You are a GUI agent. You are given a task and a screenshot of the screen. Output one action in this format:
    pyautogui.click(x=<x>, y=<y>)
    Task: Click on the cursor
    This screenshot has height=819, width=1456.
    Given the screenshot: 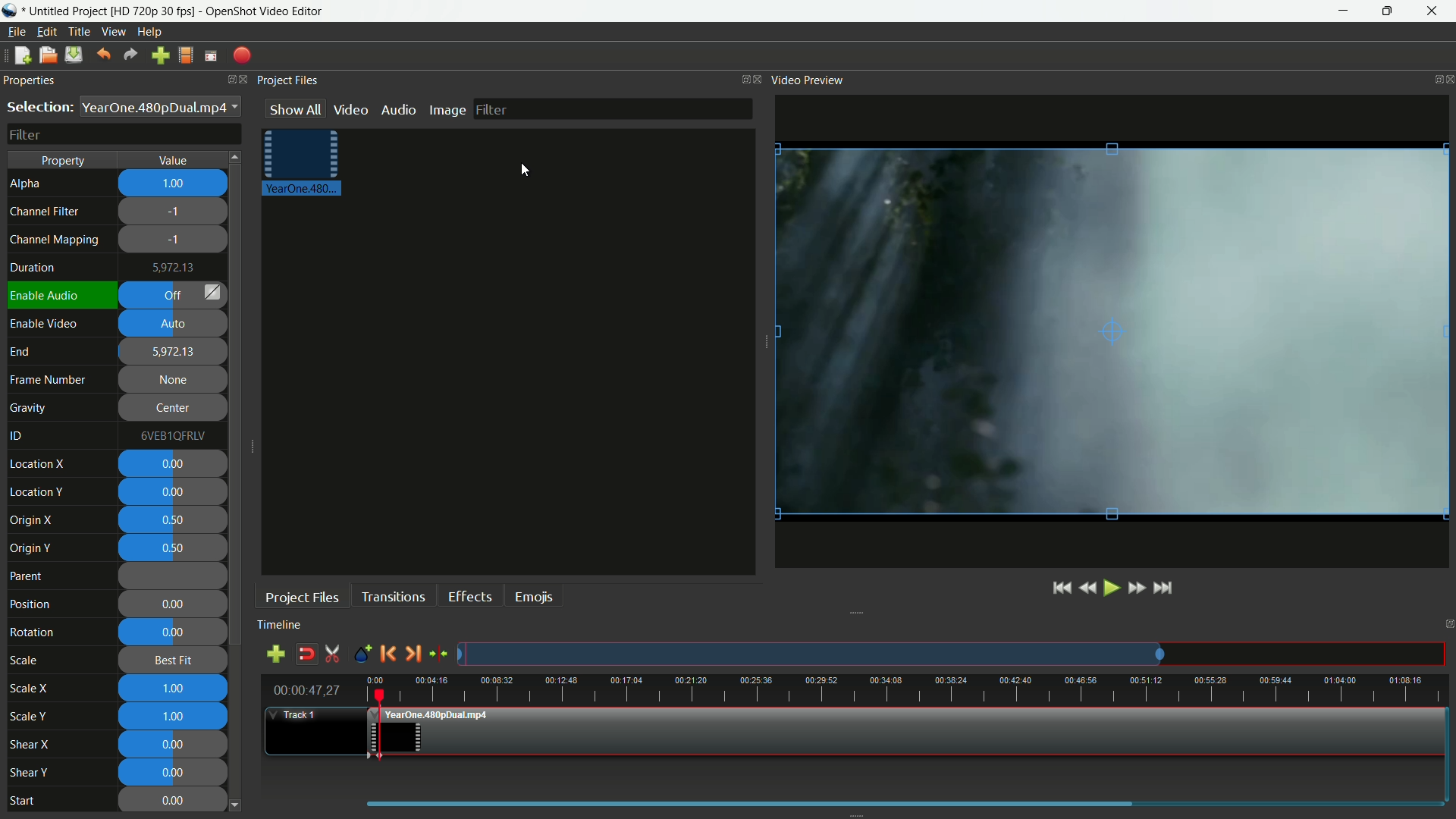 What is the action you would take?
    pyautogui.click(x=521, y=171)
    